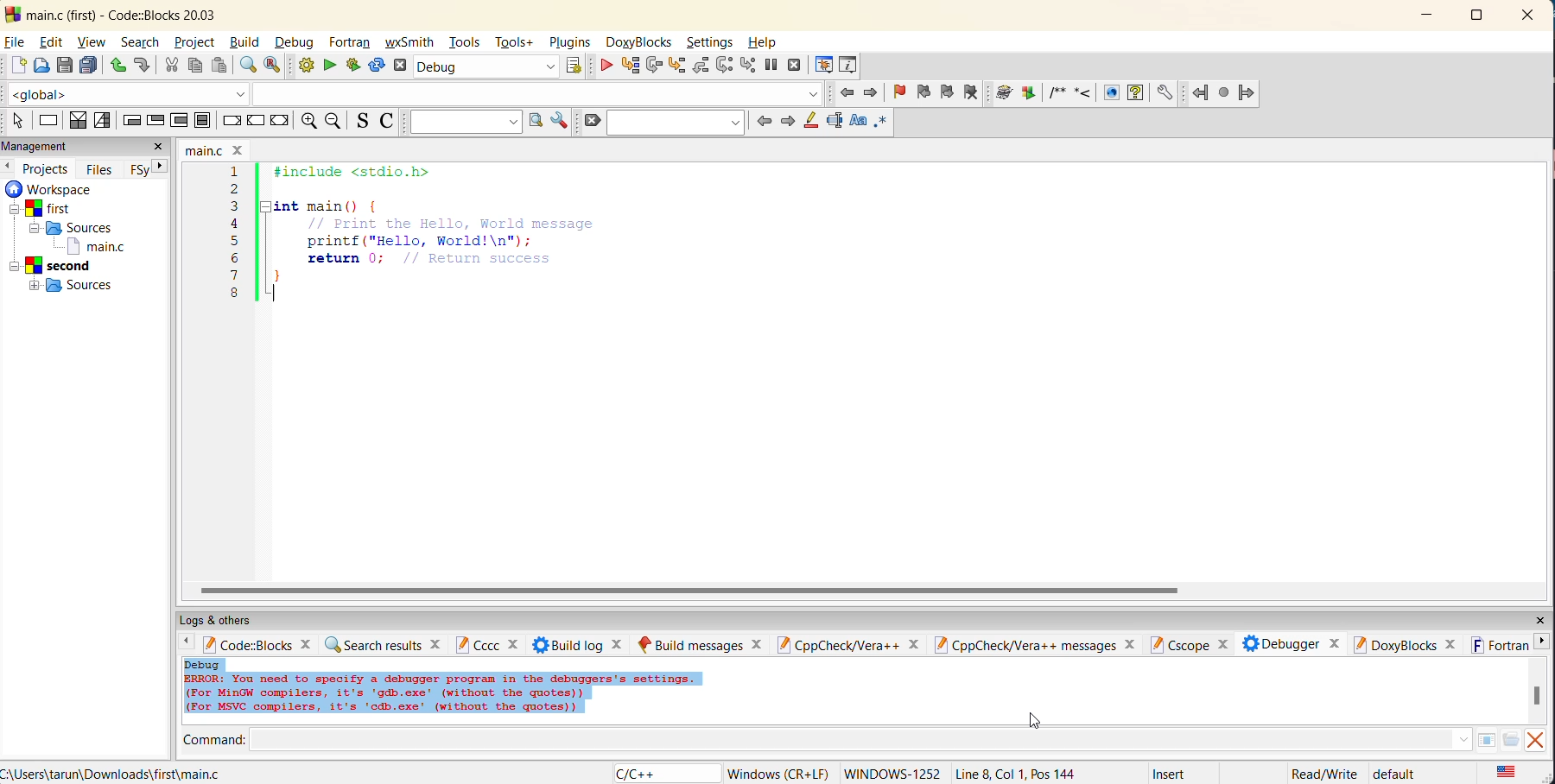 The image size is (1555, 784). Describe the element at coordinates (1189, 643) in the screenshot. I see `cscope` at that location.